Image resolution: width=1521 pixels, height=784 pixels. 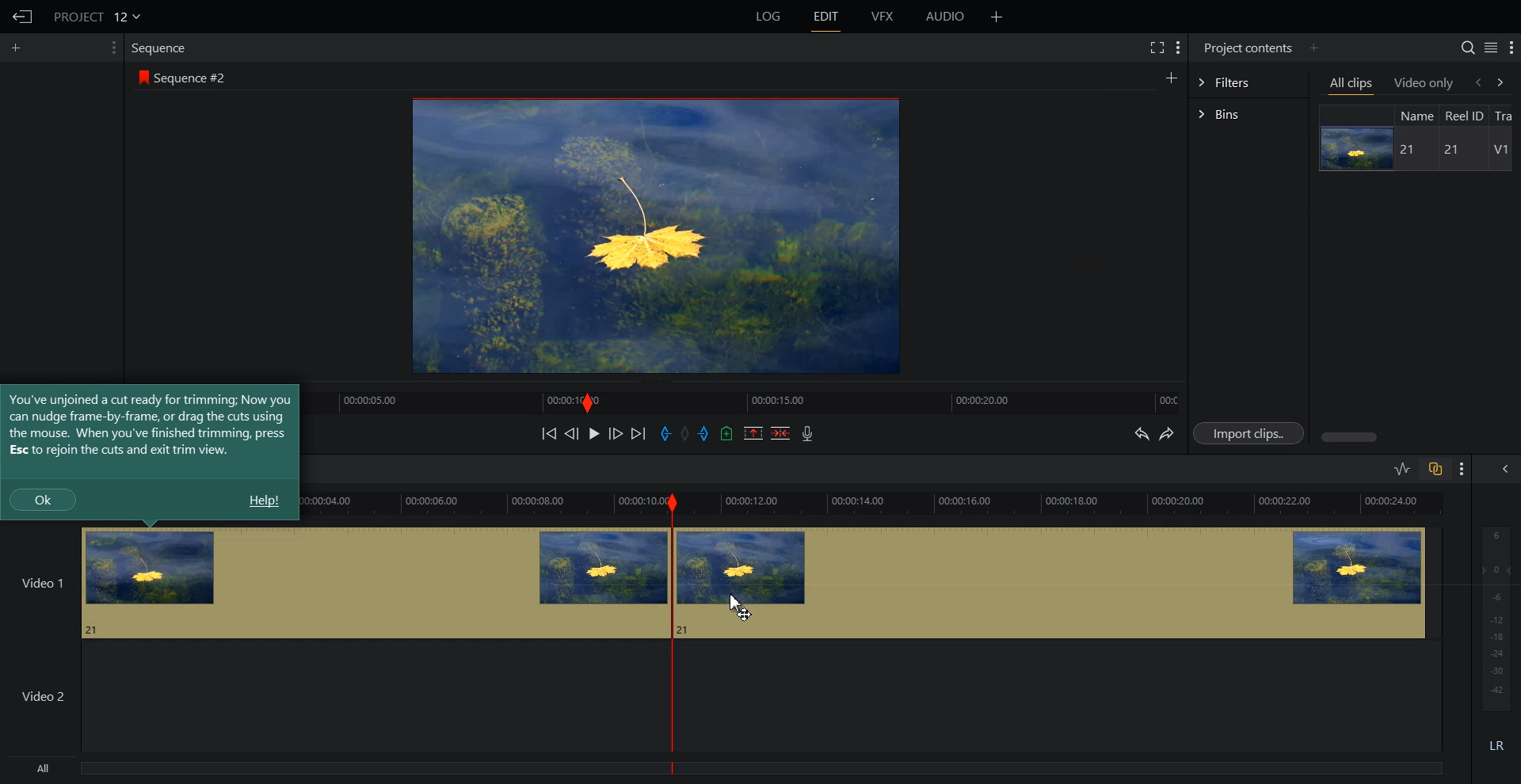 I want to click on Delete, so click(x=780, y=432).